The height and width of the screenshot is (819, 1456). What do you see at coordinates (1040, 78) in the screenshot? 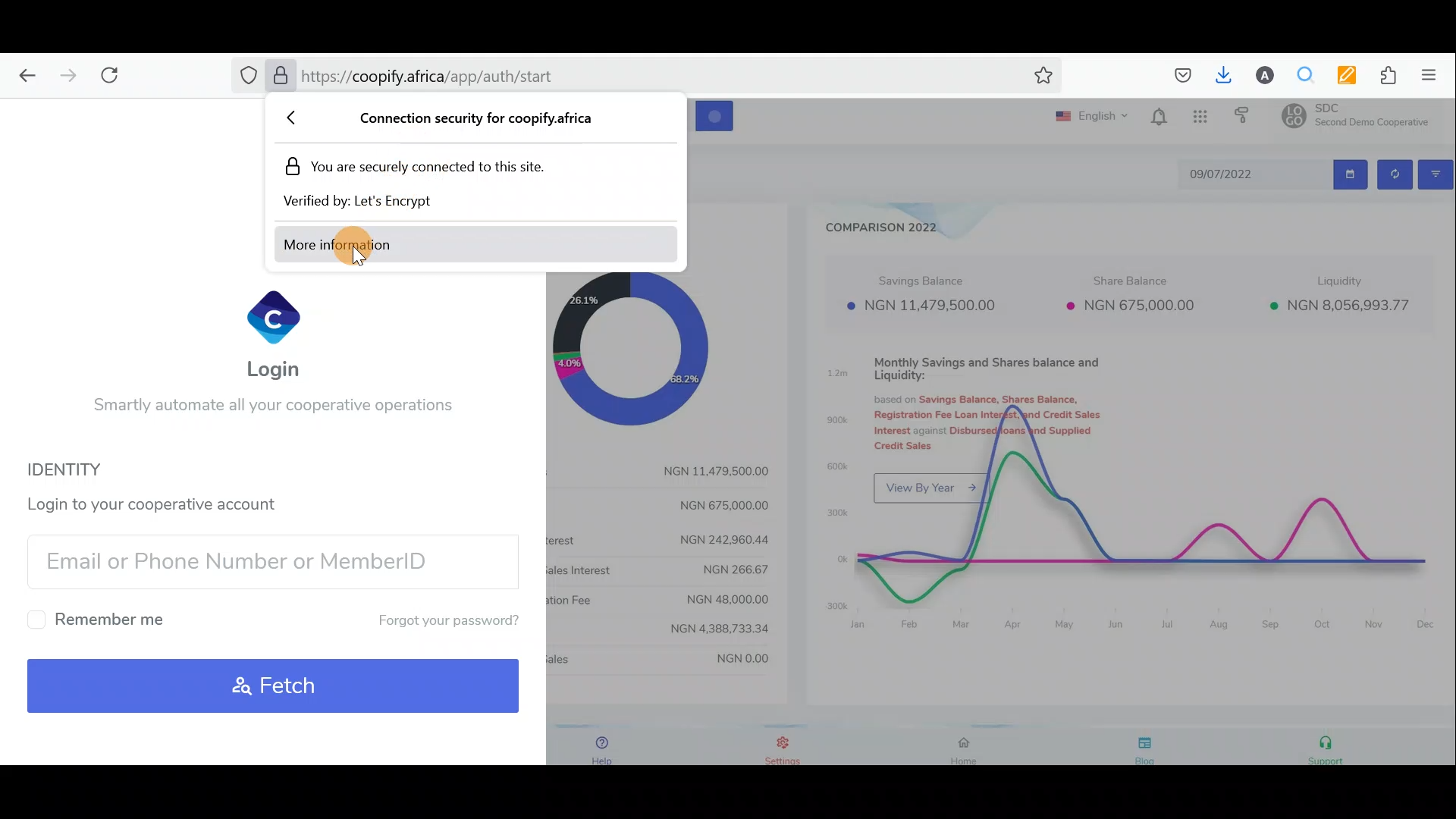
I see `Bookmark this page` at bounding box center [1040, 78].